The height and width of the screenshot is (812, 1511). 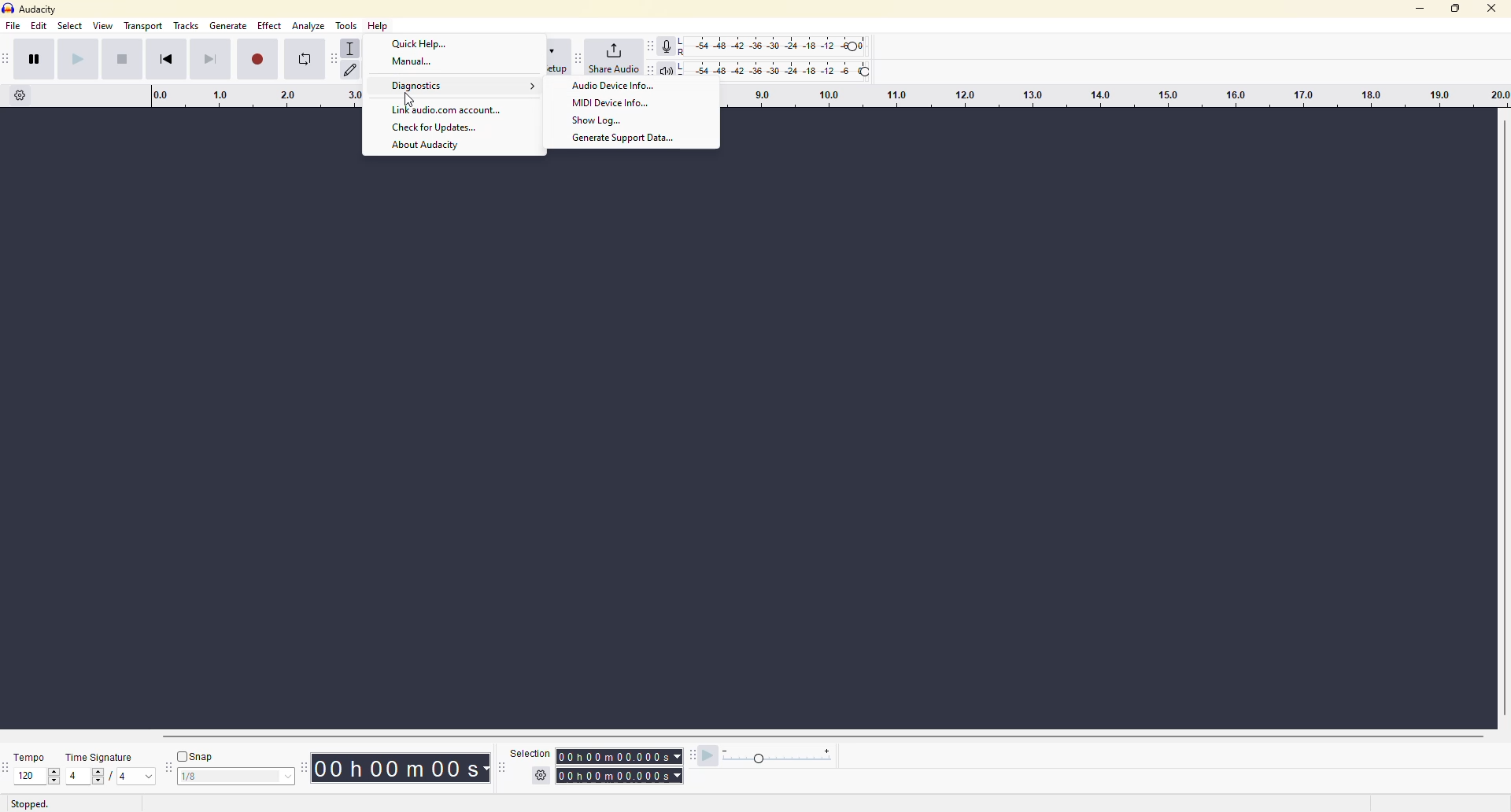 What do you see at coordinates (139, 777) in the screenshot?
I see `value` at bounding box center [139, 777].